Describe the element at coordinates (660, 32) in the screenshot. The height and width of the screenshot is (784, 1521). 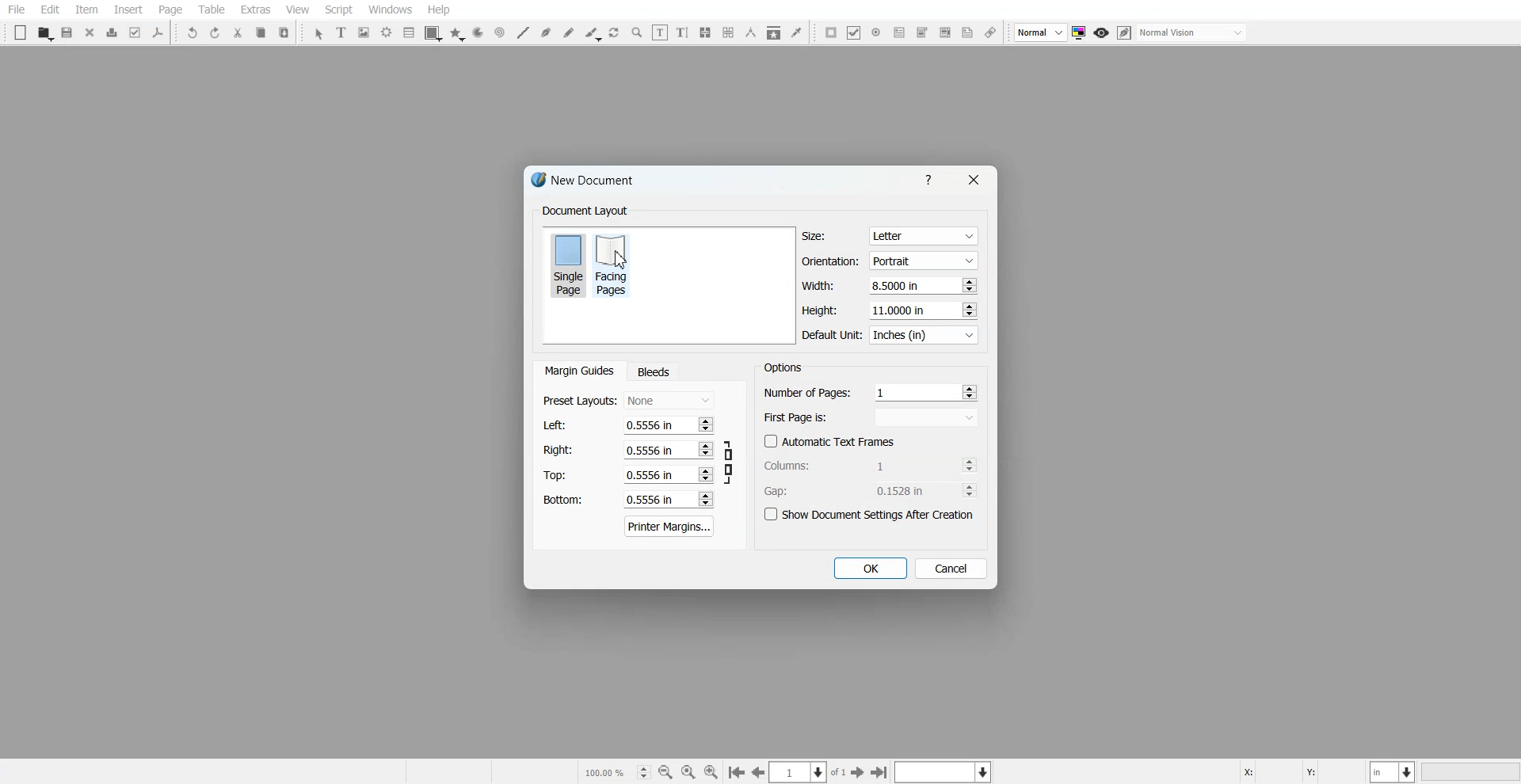
I see `Edit contents of frame` at that location.